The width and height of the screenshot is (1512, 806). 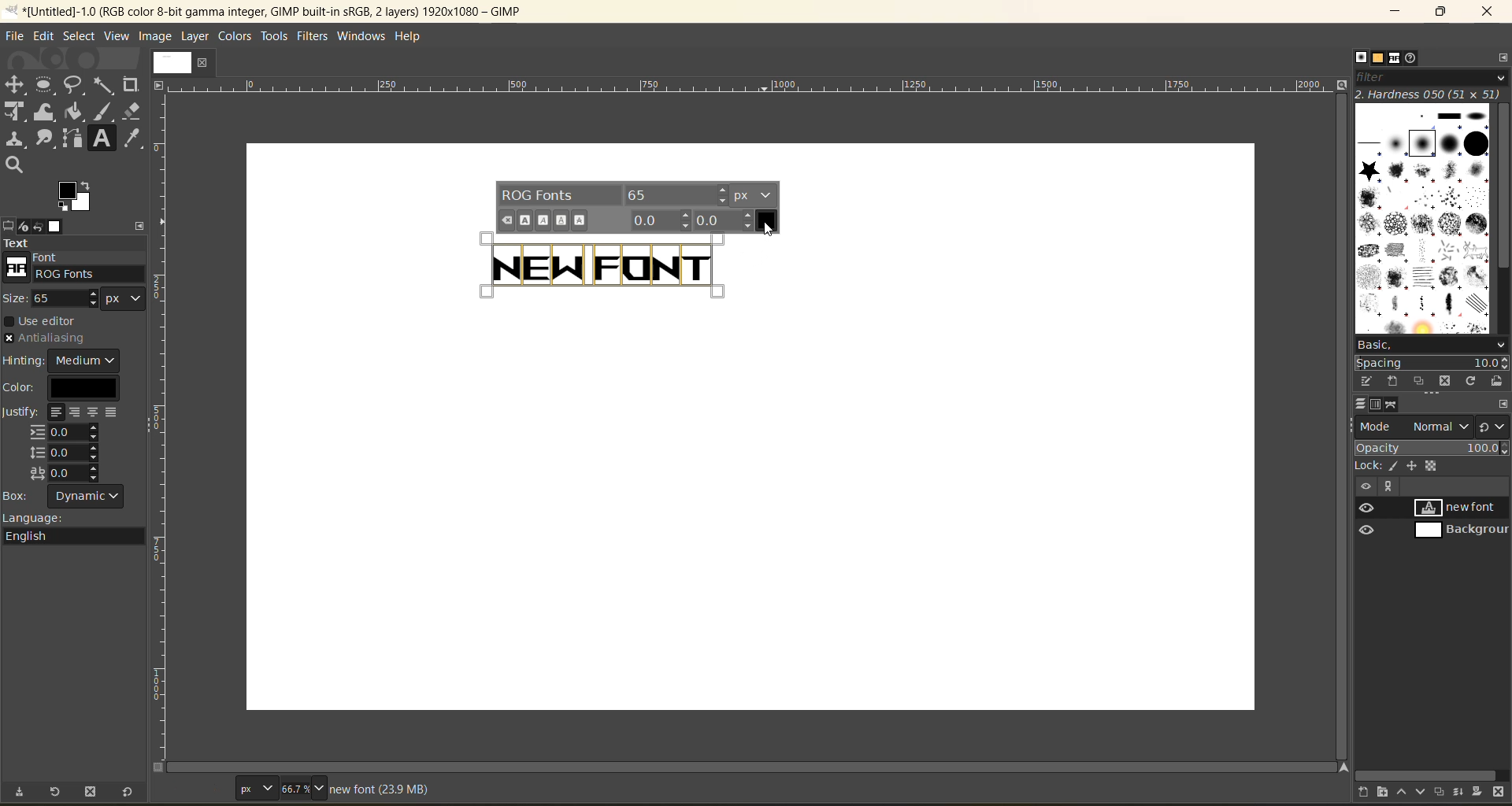 What do you see at coordinates (114, 35) in the screenshot?
I see `view` at bounding box center [114, 35].